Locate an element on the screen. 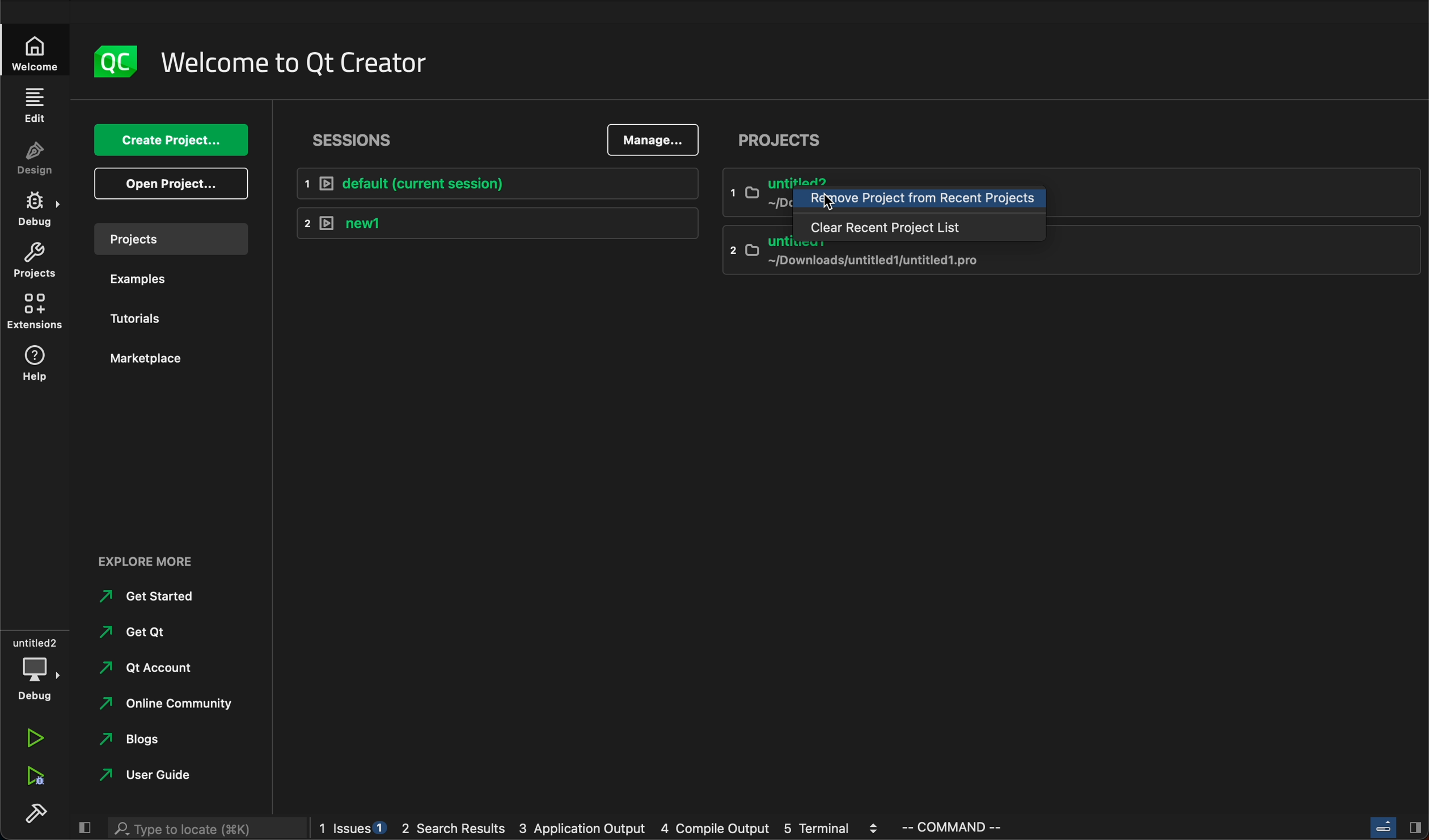  blogs is located at coordinates (164, 740).